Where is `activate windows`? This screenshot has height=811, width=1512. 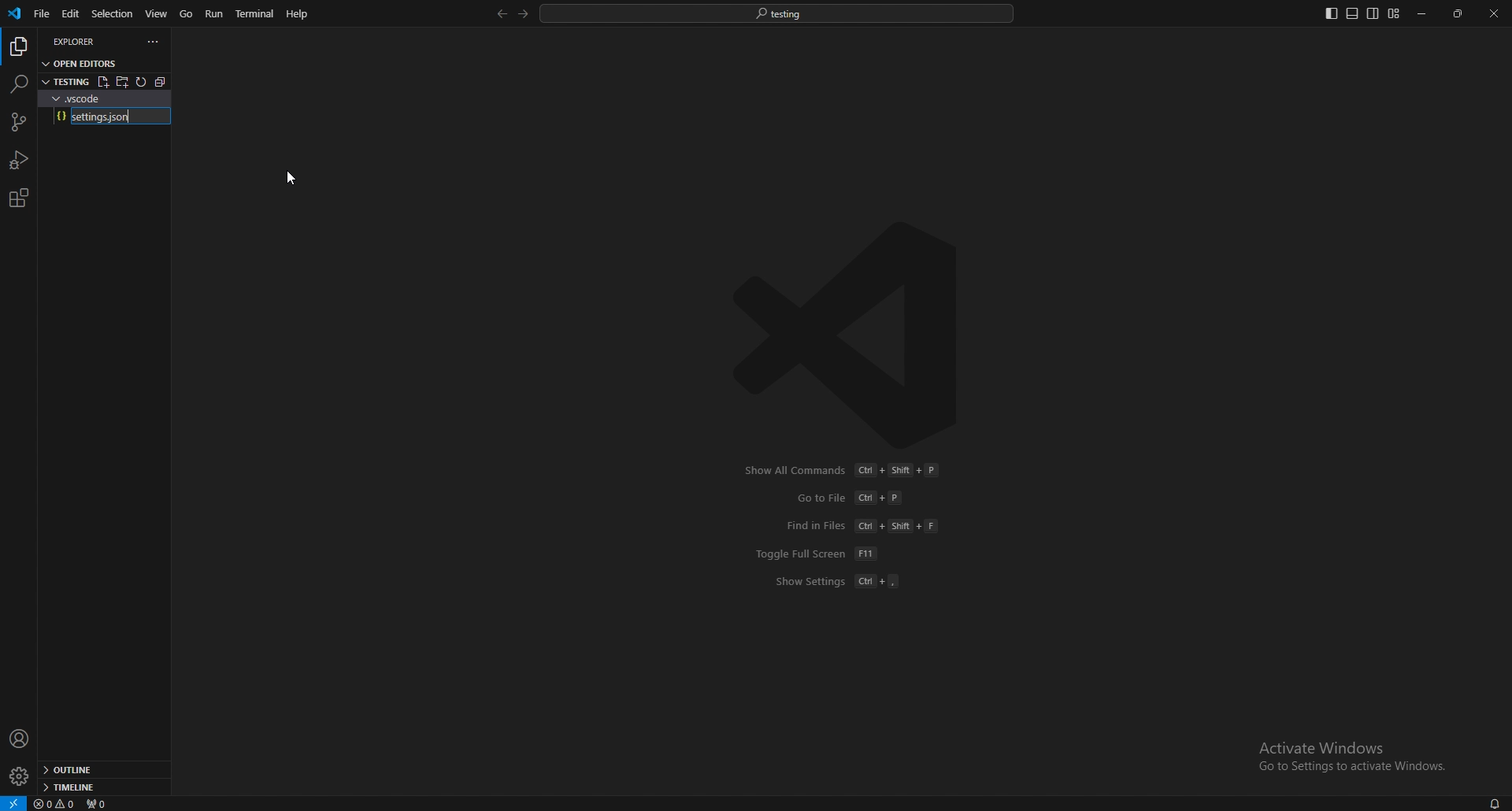 activate windows is located at coordinates (1354, 755).